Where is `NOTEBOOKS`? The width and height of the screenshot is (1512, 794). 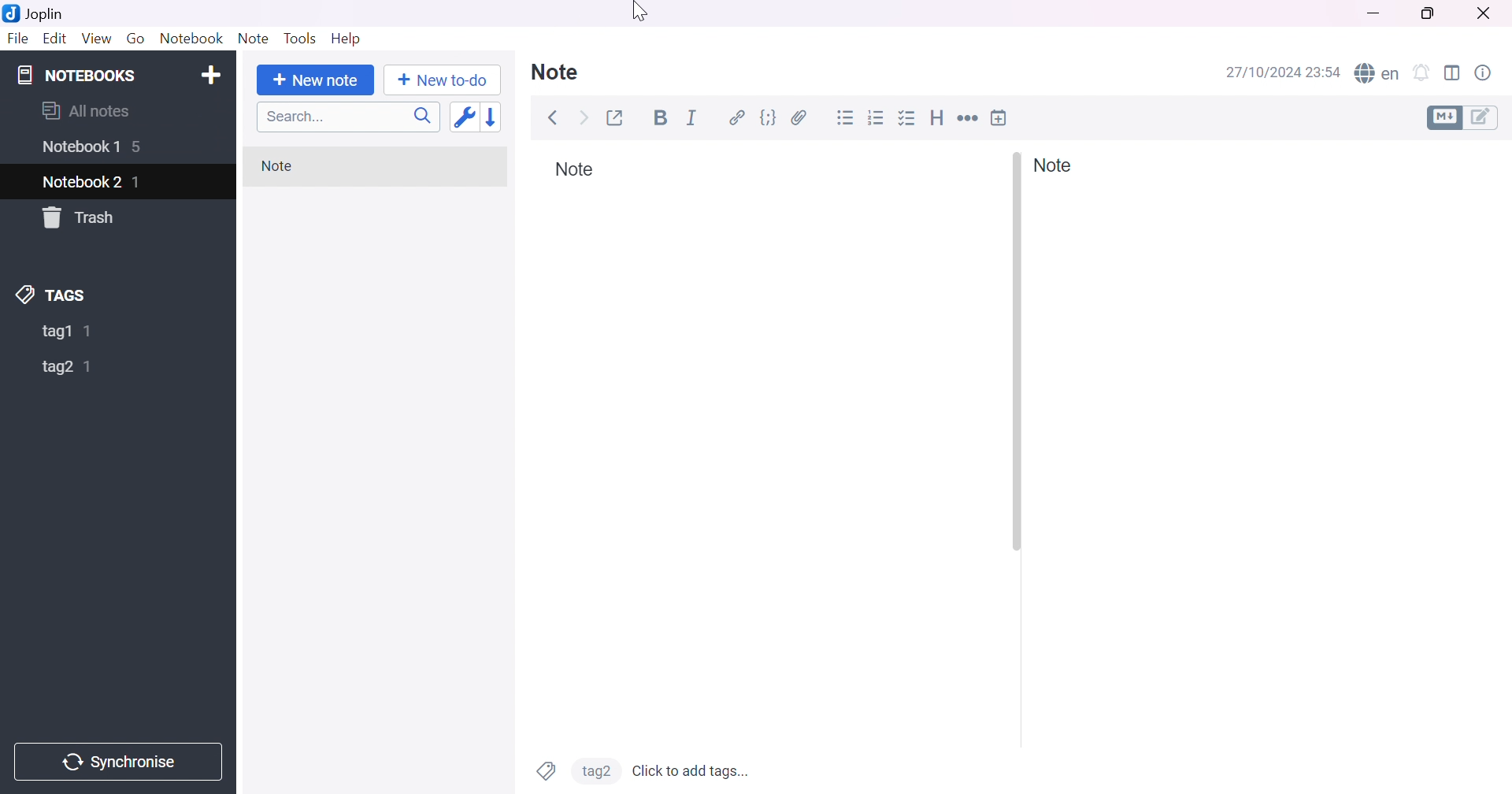 NOTEBOOKS is located at coordinates (74, 73).